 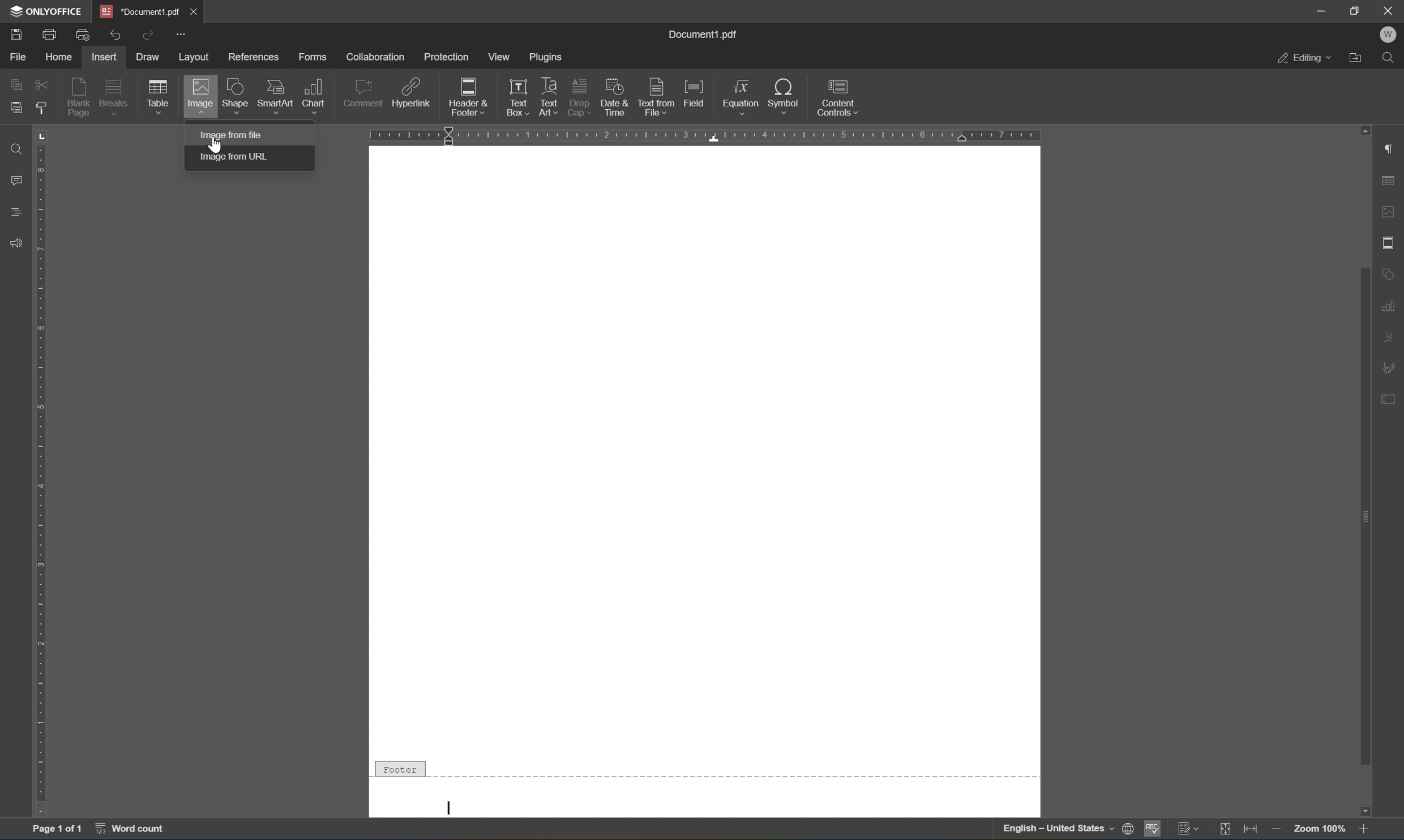 I want to click on print, so click(x=46, y=35).